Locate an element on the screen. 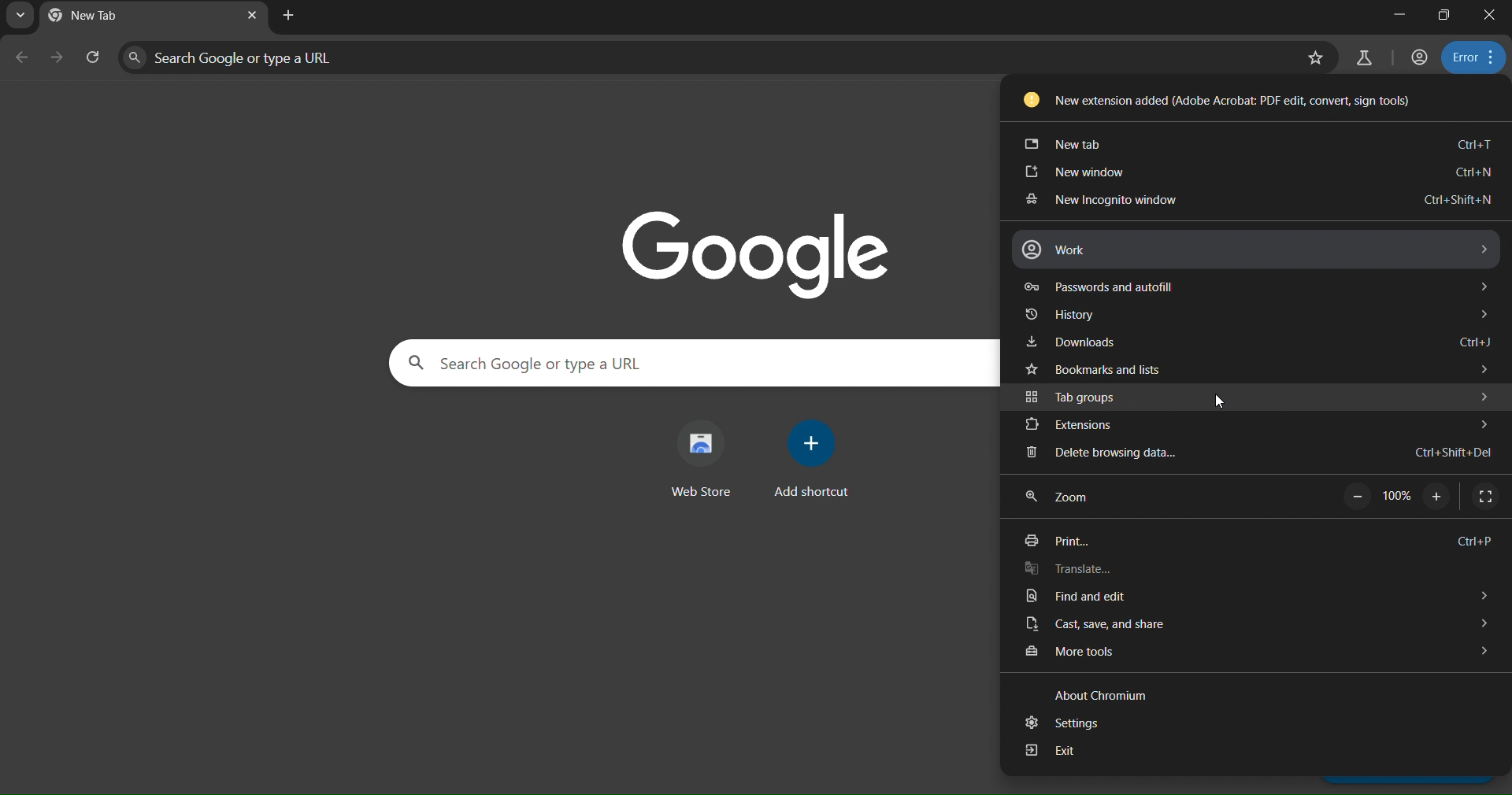  100% is located at coordinates (1397, 498).